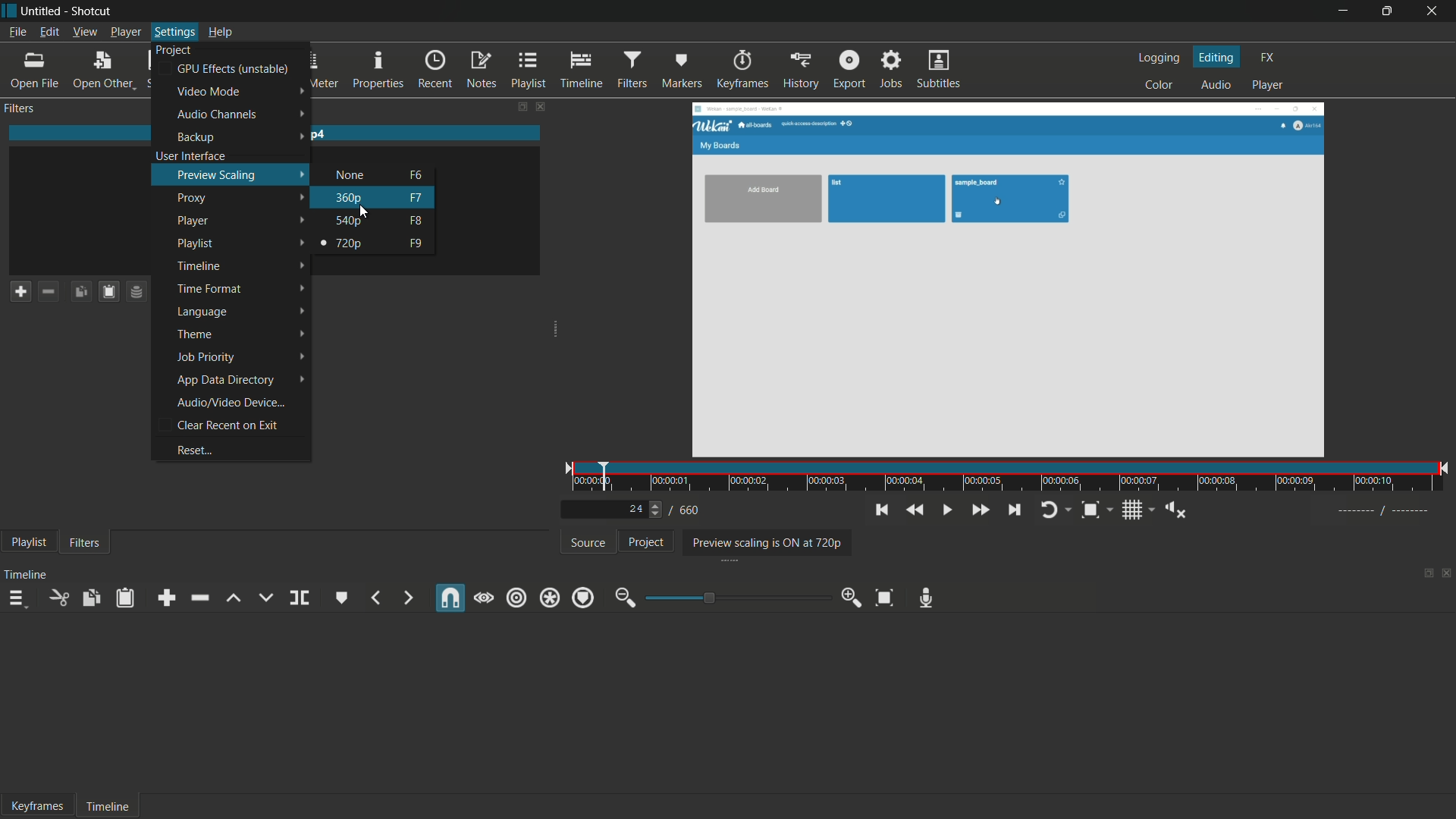 The image size is (1456, 819). I want to click on 540p, so click(350, 220).